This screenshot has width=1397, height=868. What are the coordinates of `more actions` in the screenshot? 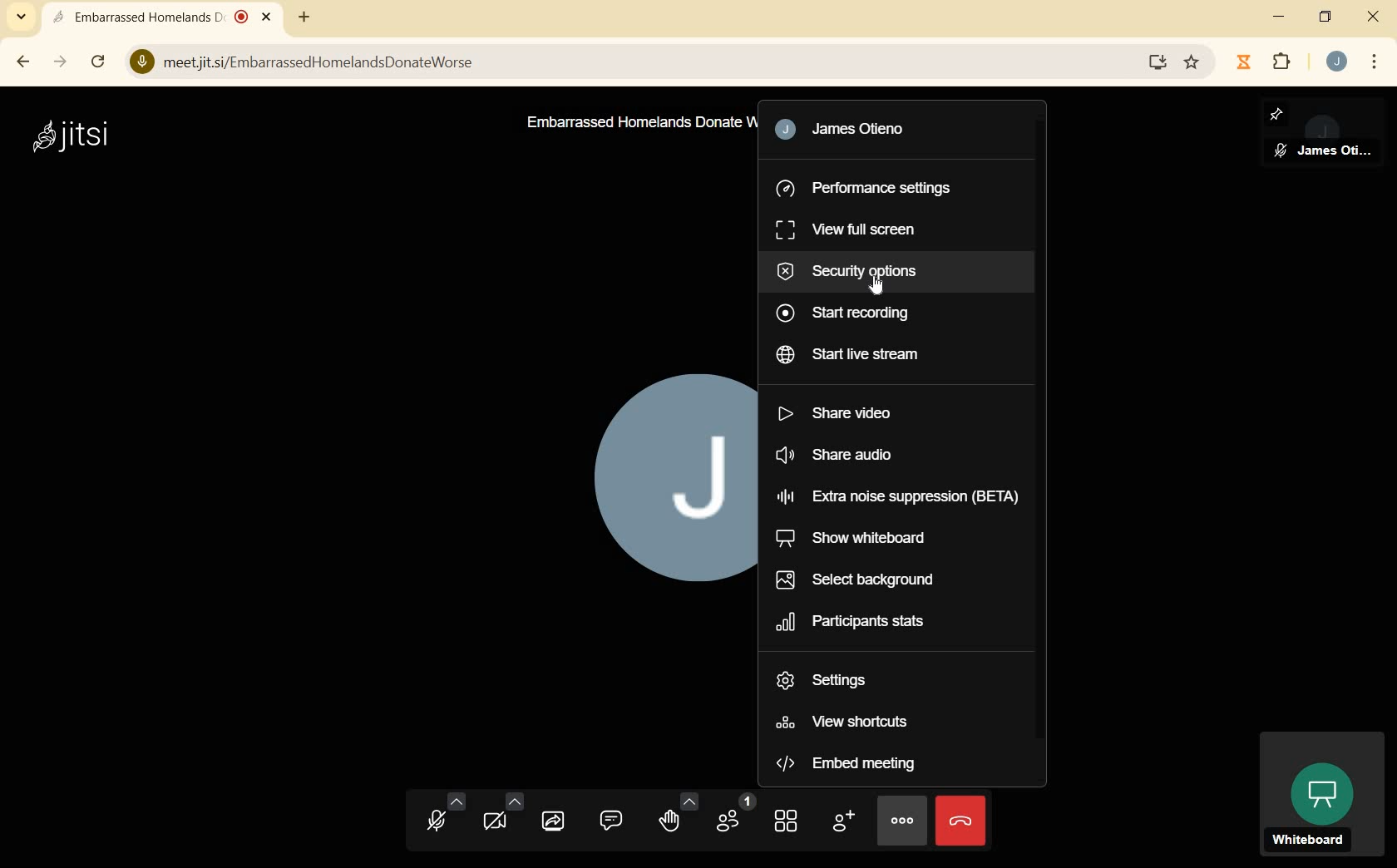 It's located at (901, 819).